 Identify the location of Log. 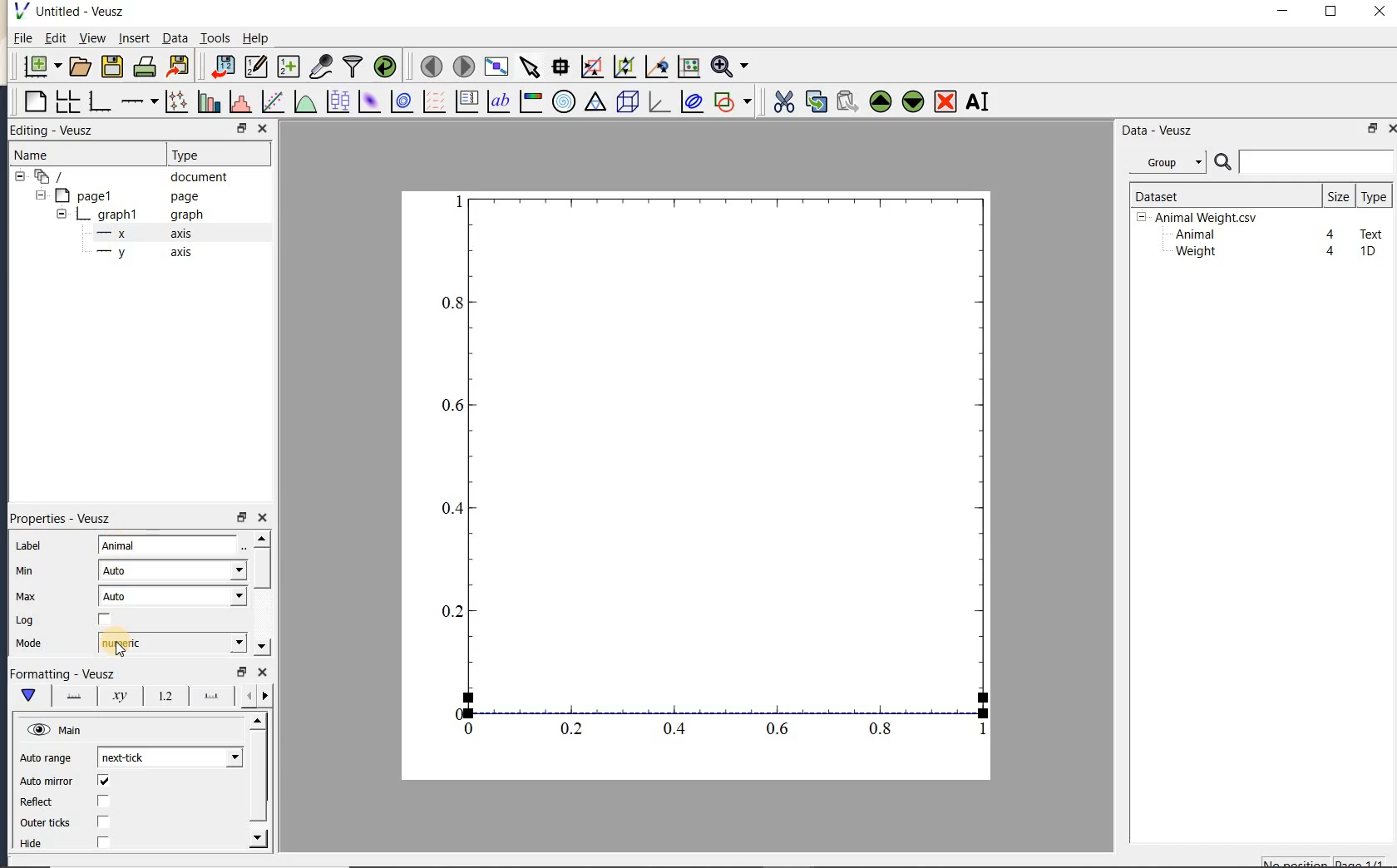
(25, 620).